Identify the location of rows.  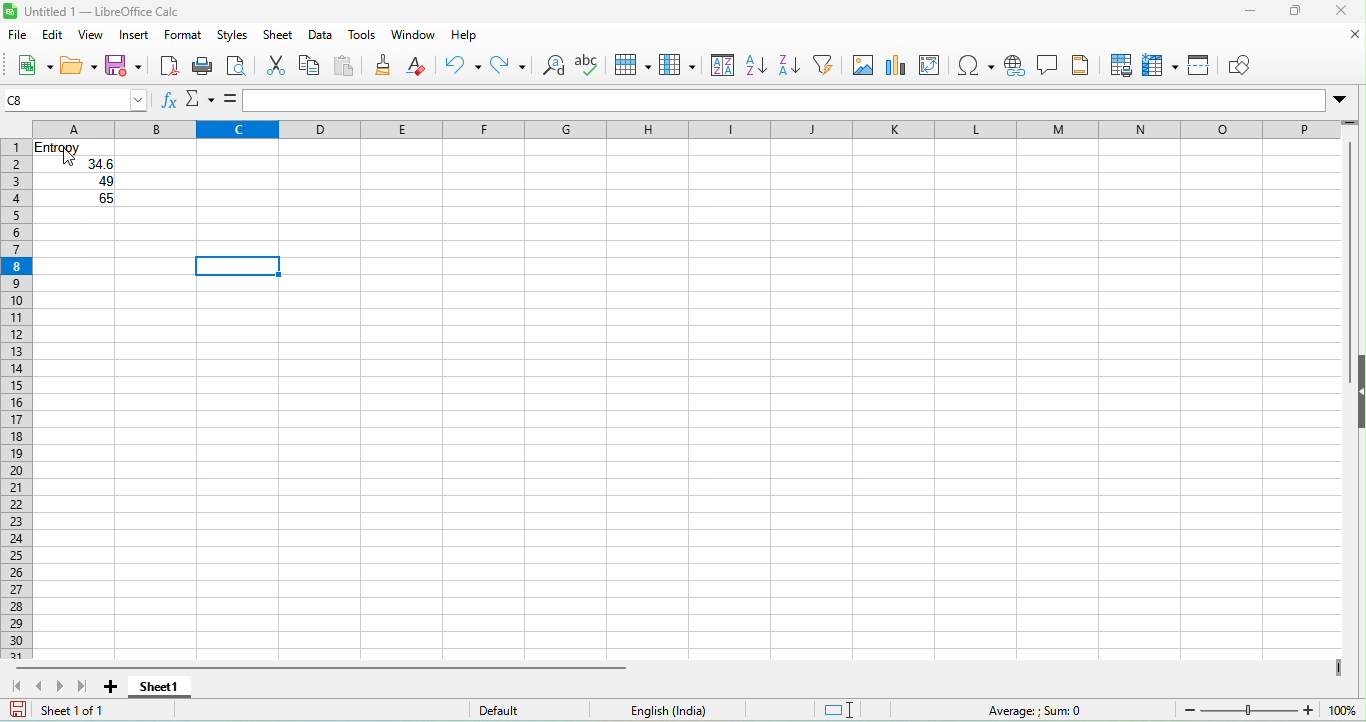
(15, 390).